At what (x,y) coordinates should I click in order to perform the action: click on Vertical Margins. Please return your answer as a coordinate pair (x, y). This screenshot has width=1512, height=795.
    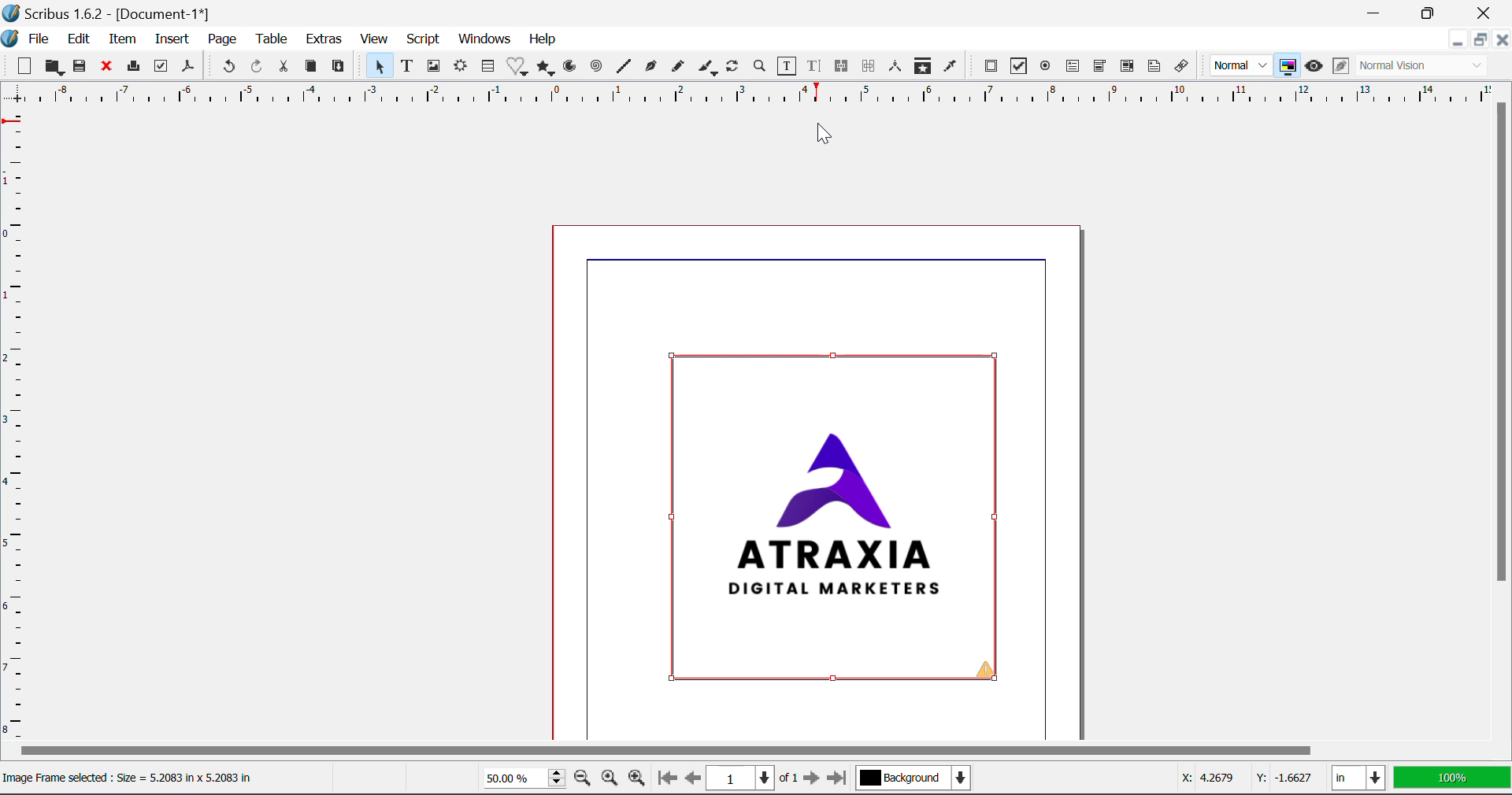
    Looking at the image, I should click on (756, 95).